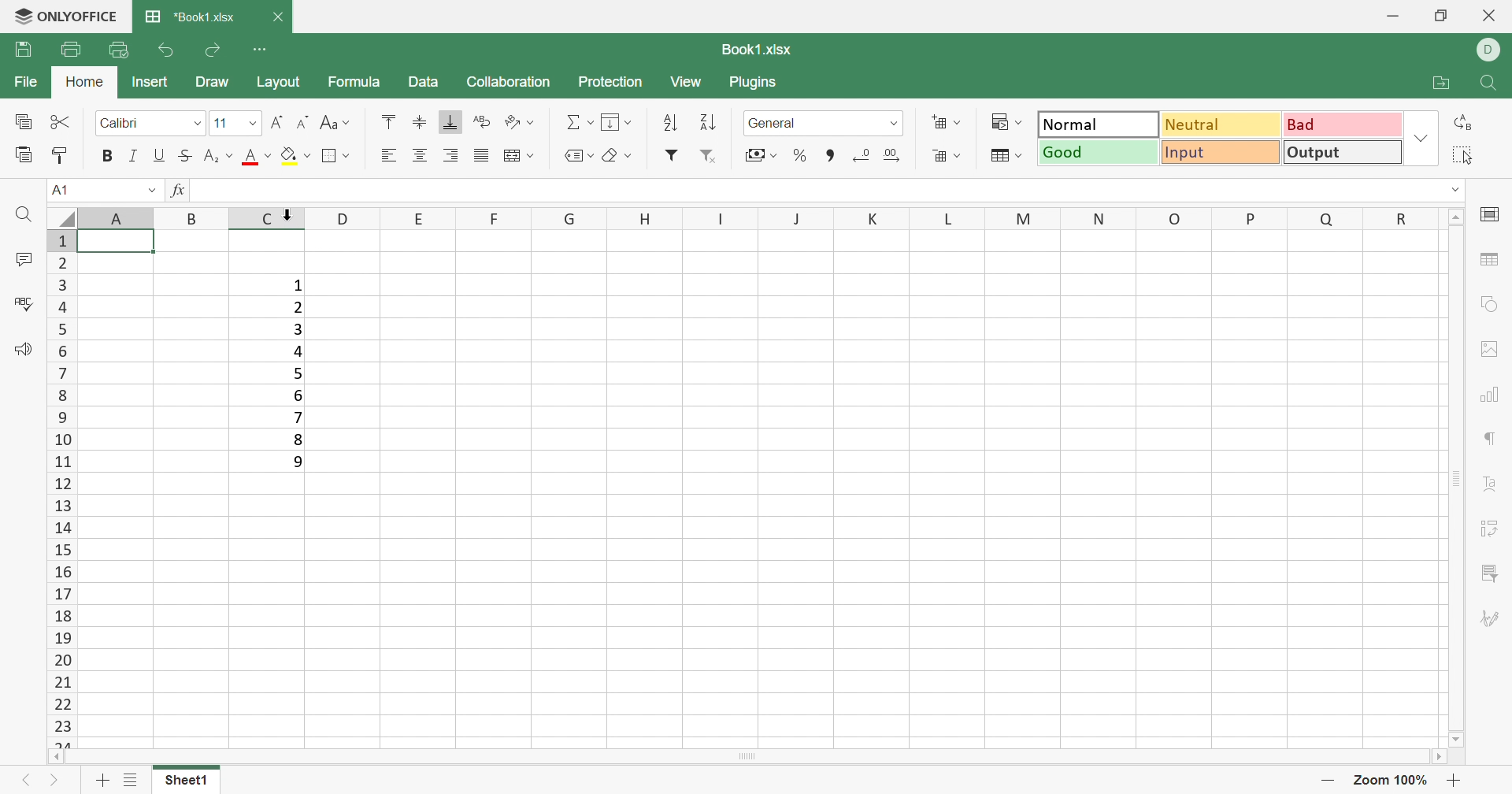  What do you see at coordinates (1494, 396) in the screenshot?
I see `Chart settings` at bounding box center [1494, 396].